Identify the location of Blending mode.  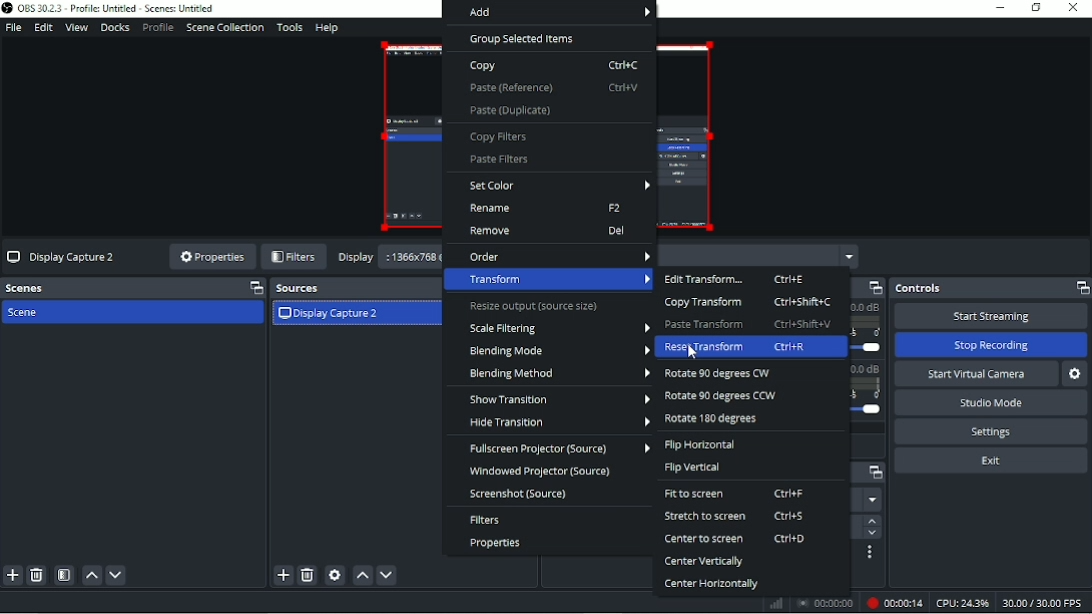
(559, 351).